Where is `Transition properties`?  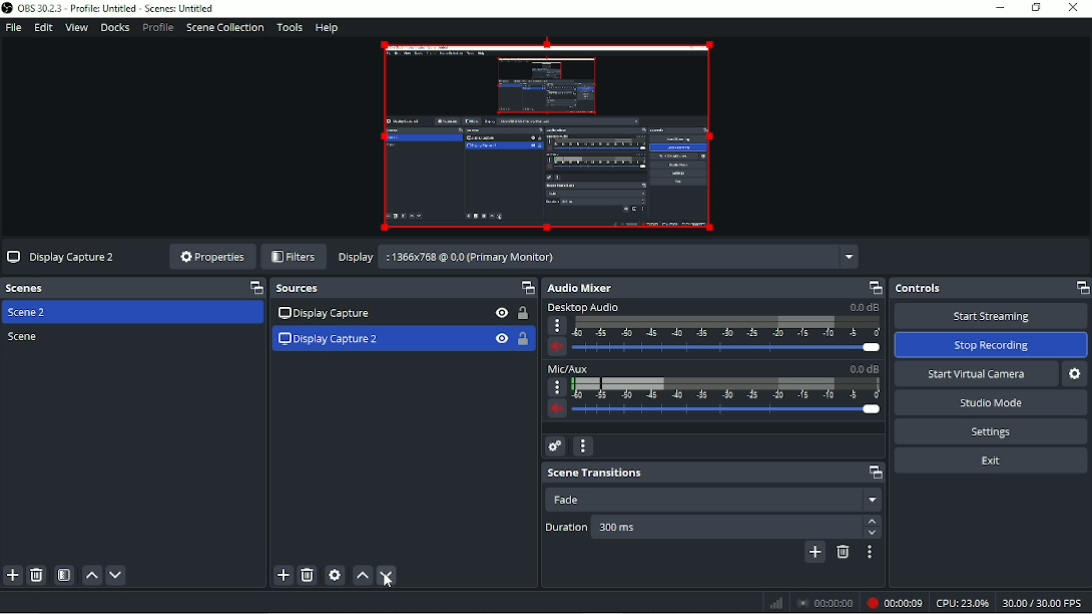
Transition properties is located at coordinates (870, 555).